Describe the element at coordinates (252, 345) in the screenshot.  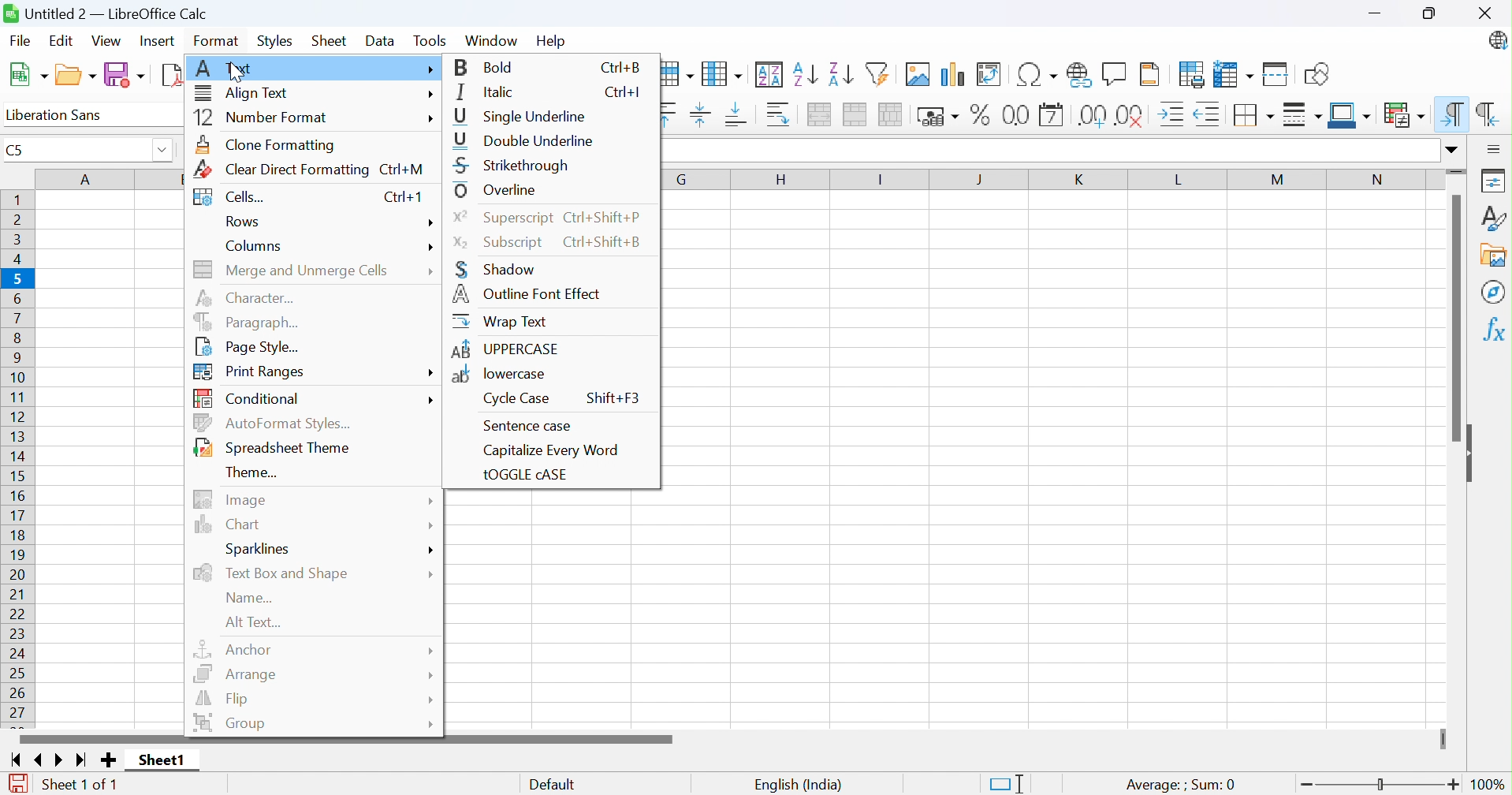
I see `Page style` at that location.